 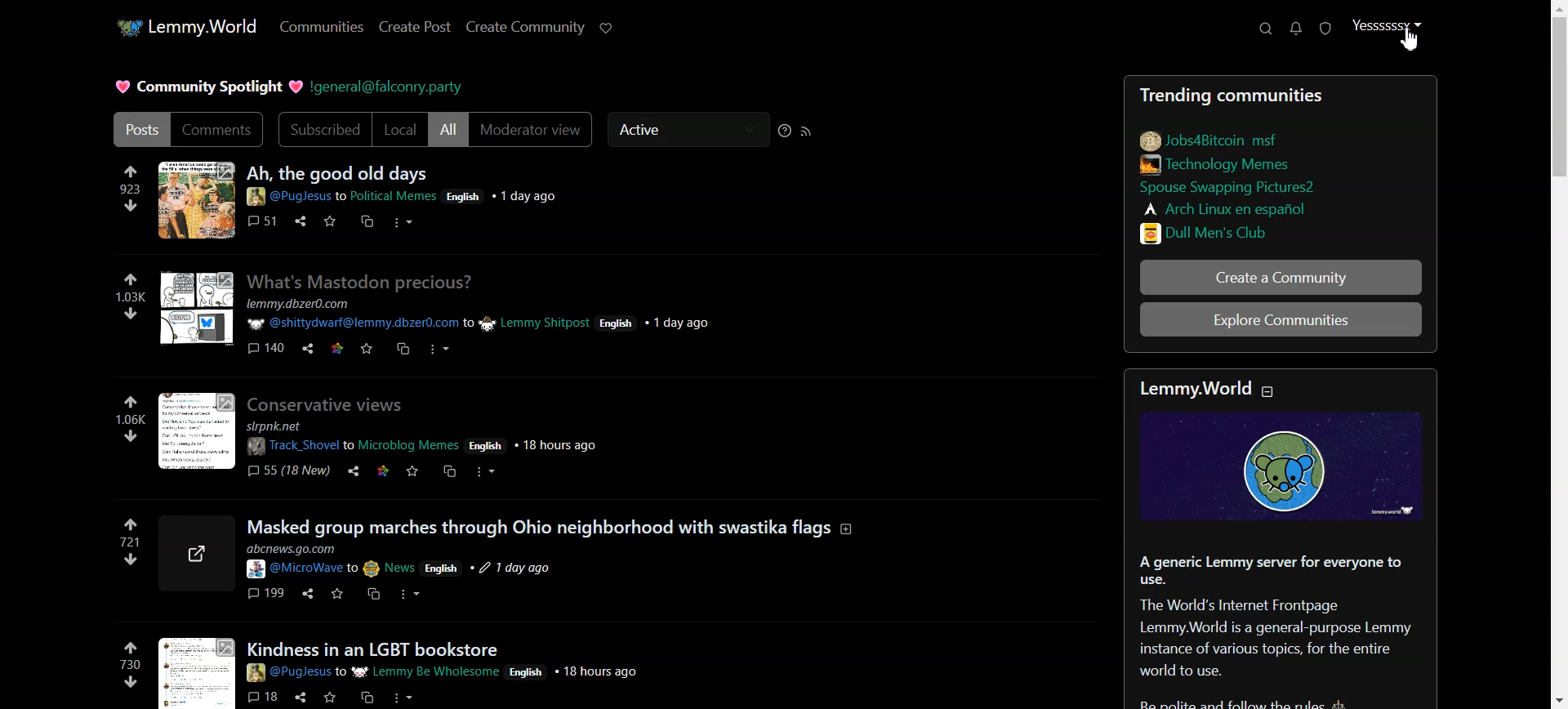 What do you see at coordinates (785, 131) in the screenshot?
I see `Community help` at bounding box center [785, 131].